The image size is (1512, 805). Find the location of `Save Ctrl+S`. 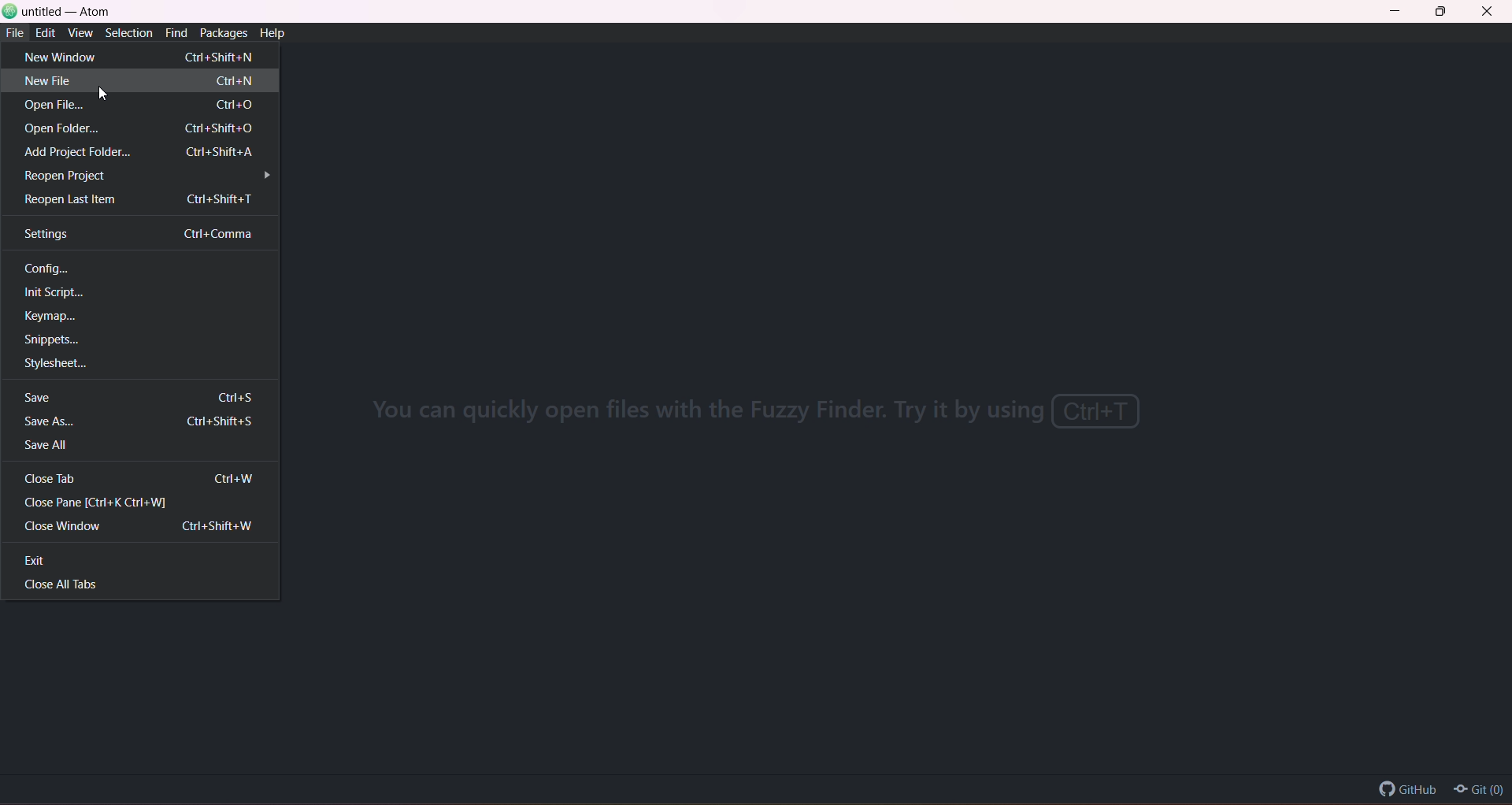

Save Ctrl+S is located at coordinates (146, 398).